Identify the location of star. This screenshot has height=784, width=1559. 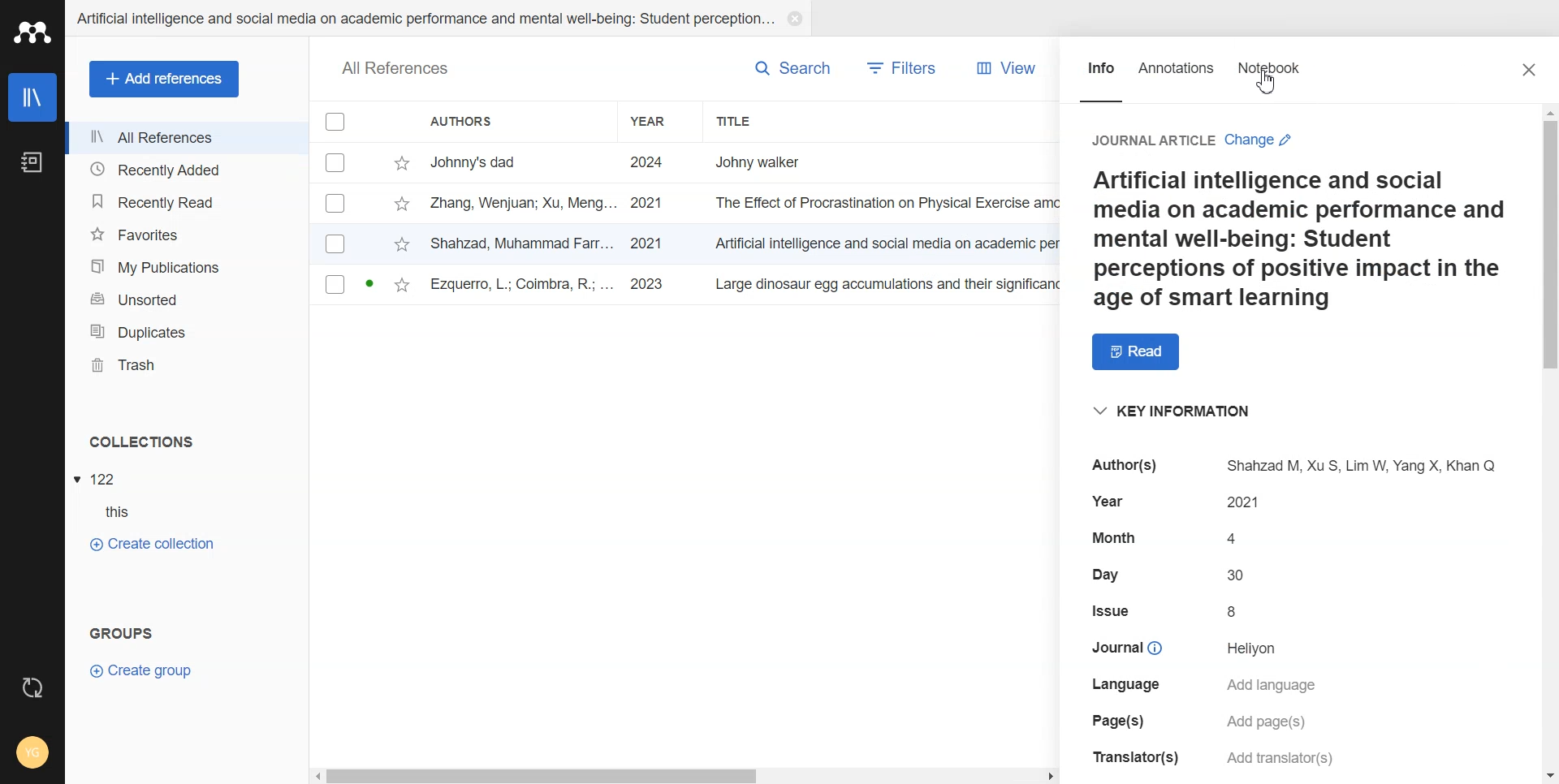
(402, 164).